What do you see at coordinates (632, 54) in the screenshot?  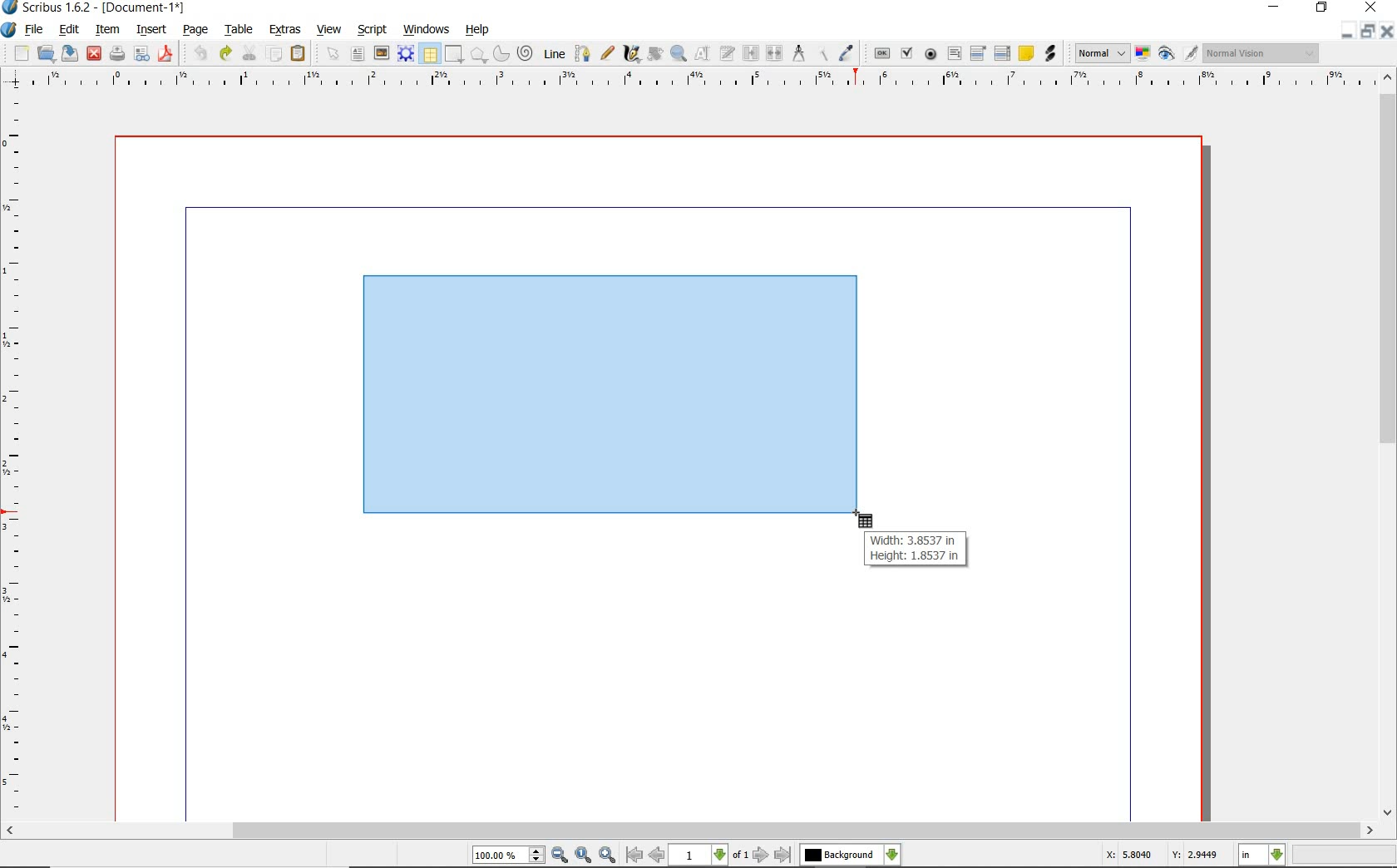 I see `calligraphic line` at bounding box center [632, 54].